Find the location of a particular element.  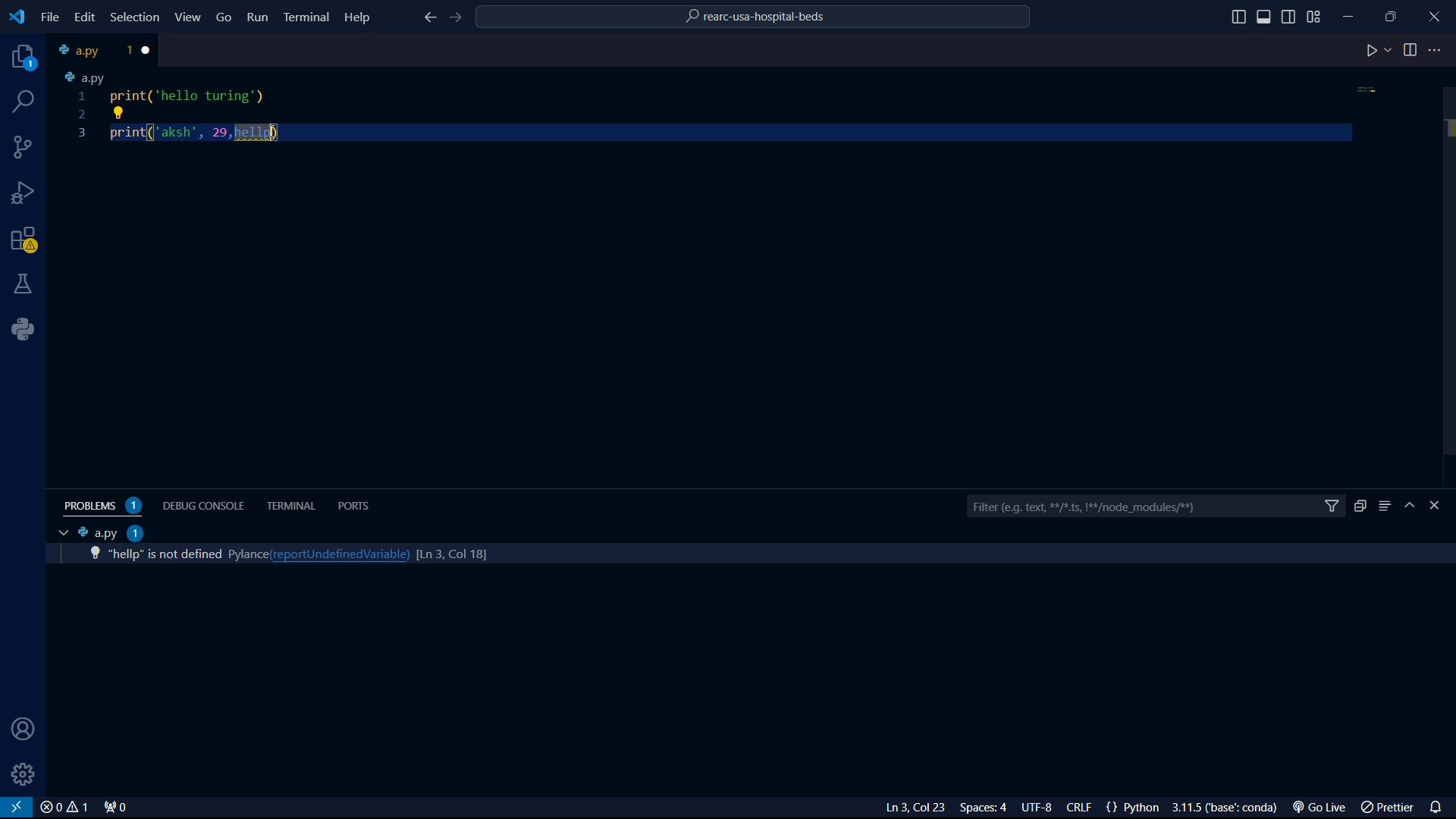

play is located at coordinates (1378, 52).